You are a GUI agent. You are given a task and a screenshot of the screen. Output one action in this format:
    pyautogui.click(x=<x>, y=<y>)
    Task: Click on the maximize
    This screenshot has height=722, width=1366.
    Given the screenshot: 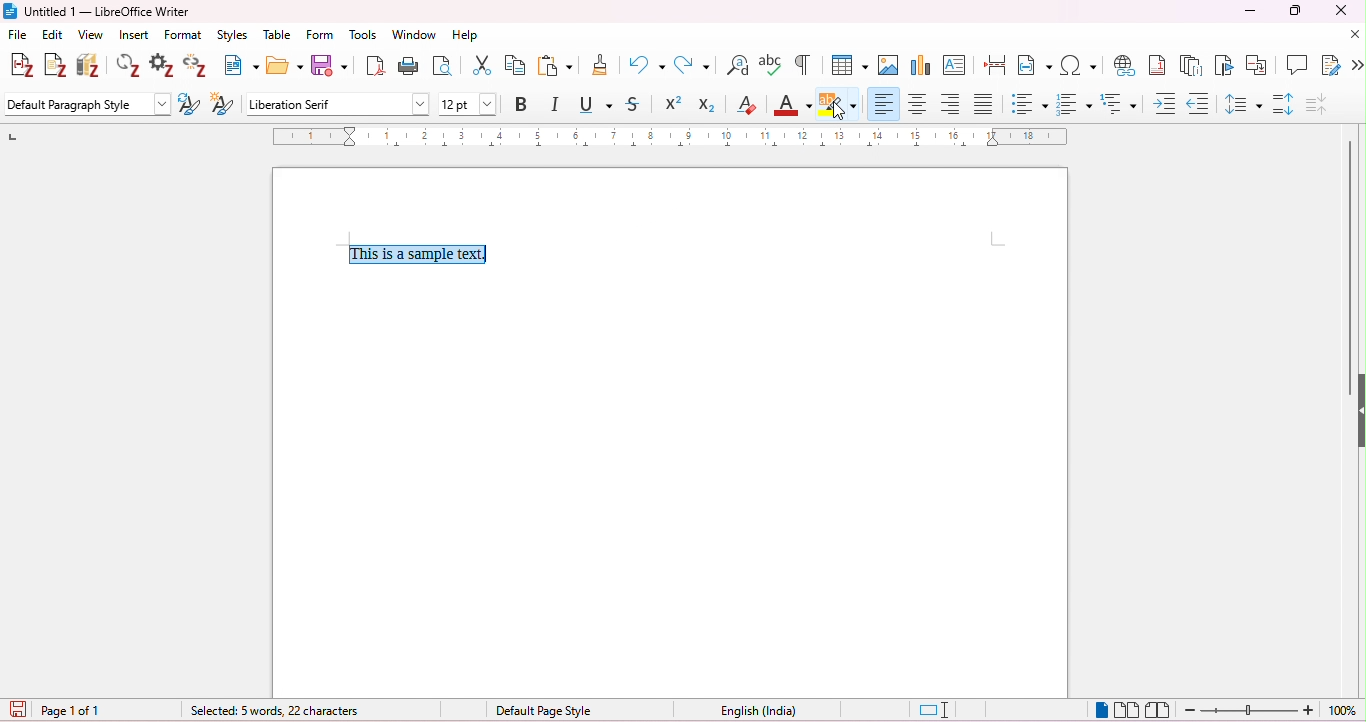 What is the action you would take?
    pyautogui.click(x=1295, y=11)
    